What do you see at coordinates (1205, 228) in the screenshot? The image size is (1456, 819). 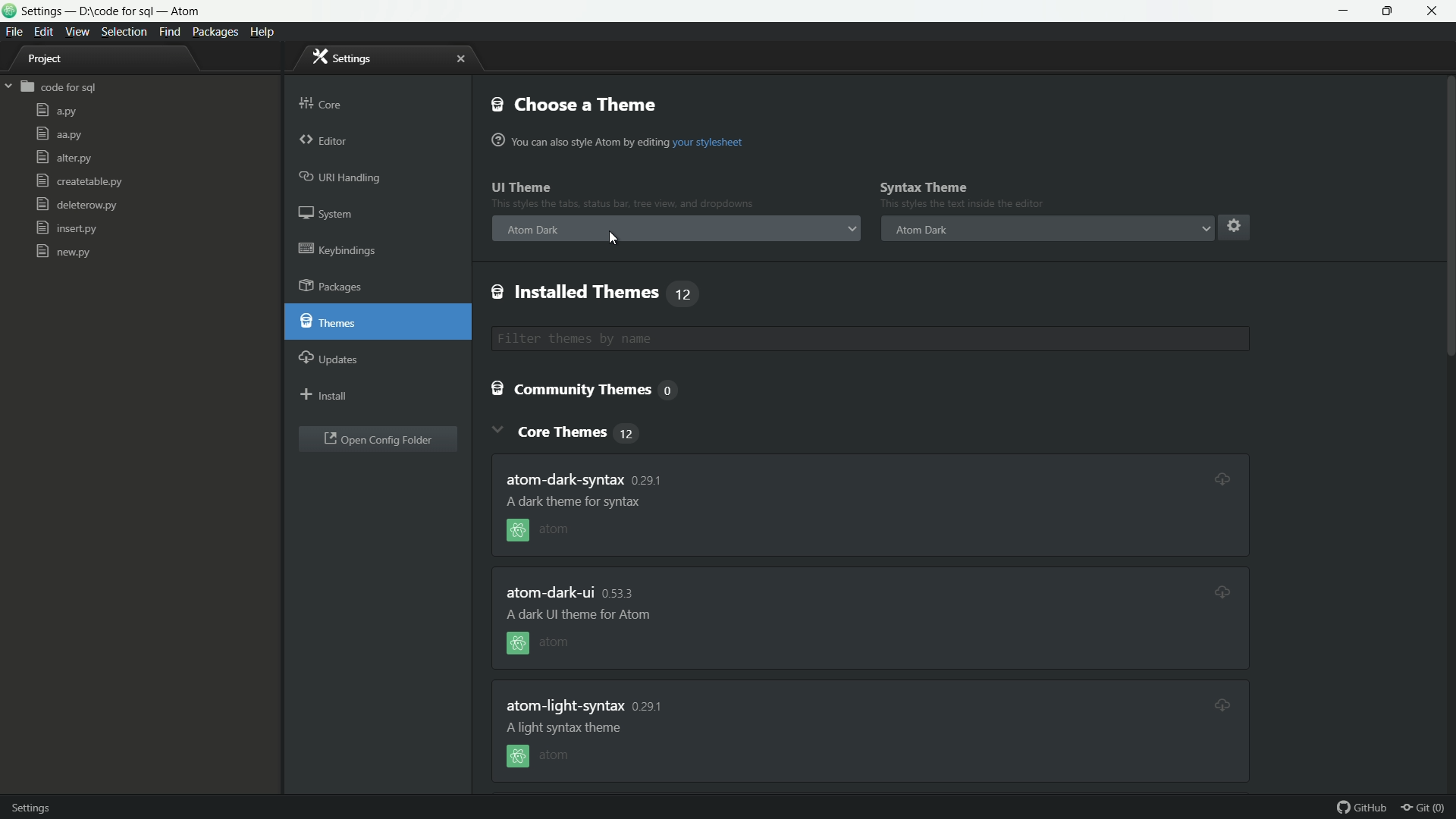 I see `dropdown` at bounding box center [1205, 228].